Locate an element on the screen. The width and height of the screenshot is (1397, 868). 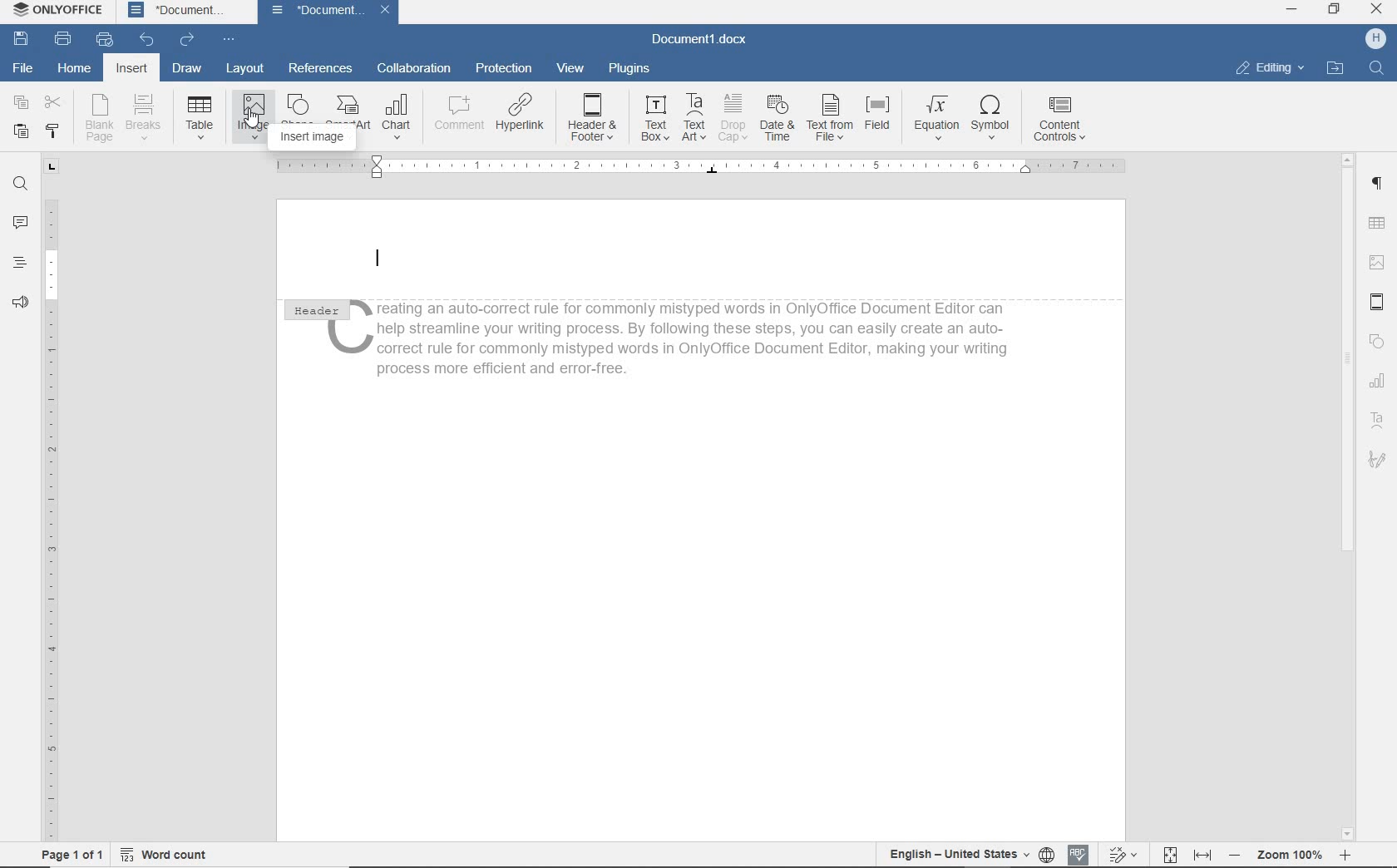
SPELL CHECKING is located at coordinates (1079, 853).